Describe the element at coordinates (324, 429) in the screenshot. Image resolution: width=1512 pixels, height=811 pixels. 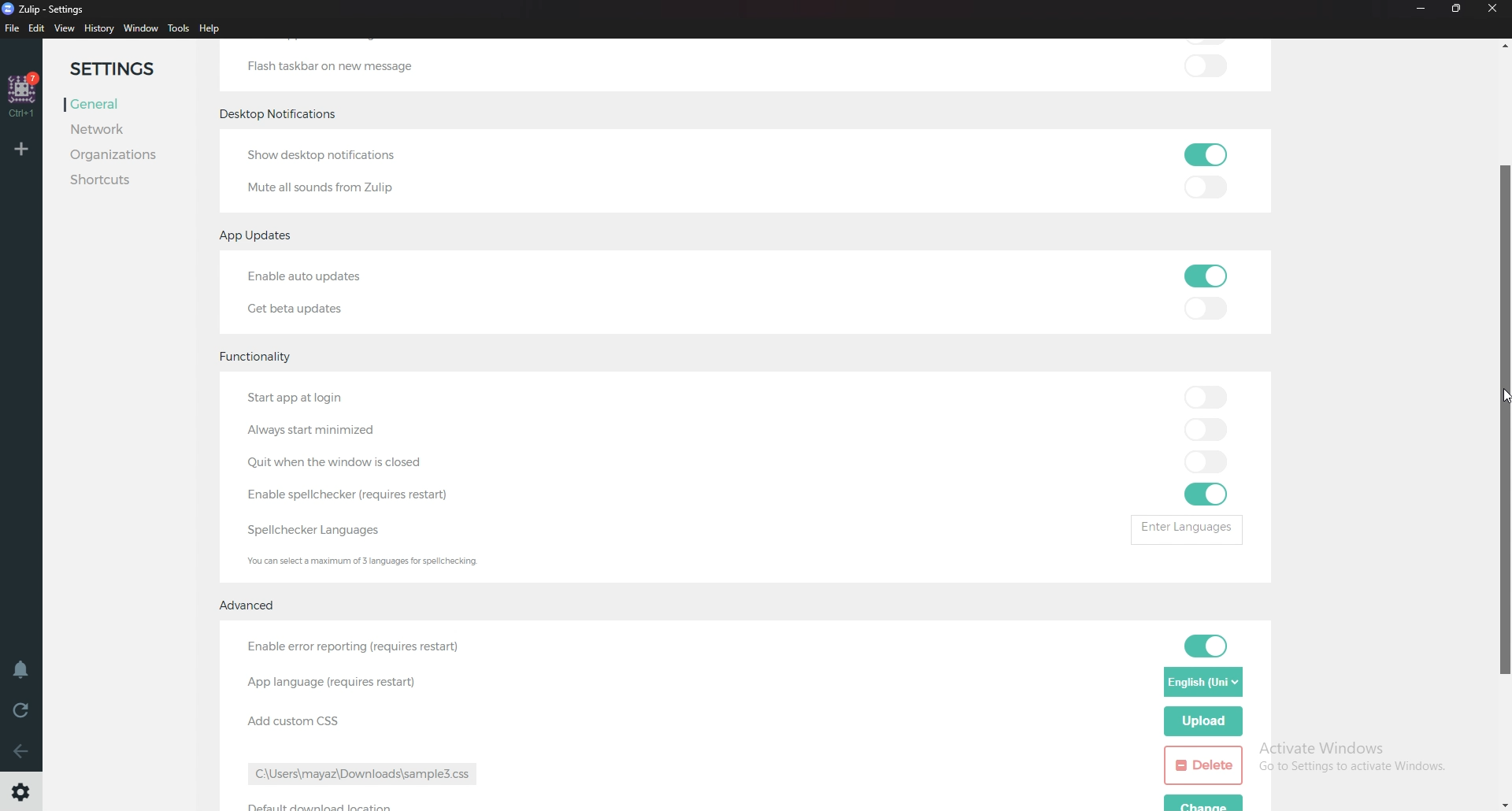
I see `Always start minimized` at that location.